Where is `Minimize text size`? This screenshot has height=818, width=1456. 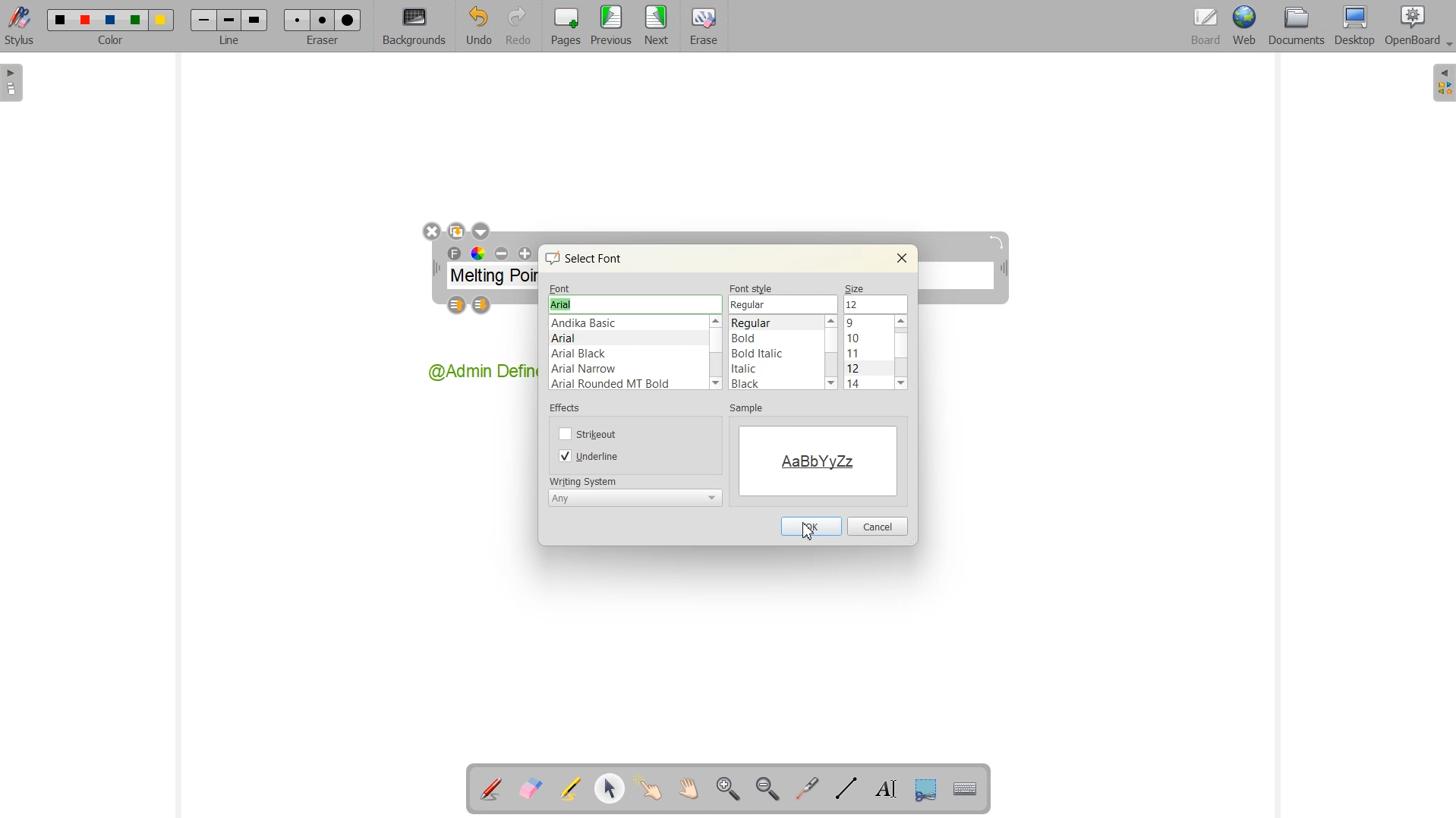 Minimize text size is located at coordinates (503, 254).